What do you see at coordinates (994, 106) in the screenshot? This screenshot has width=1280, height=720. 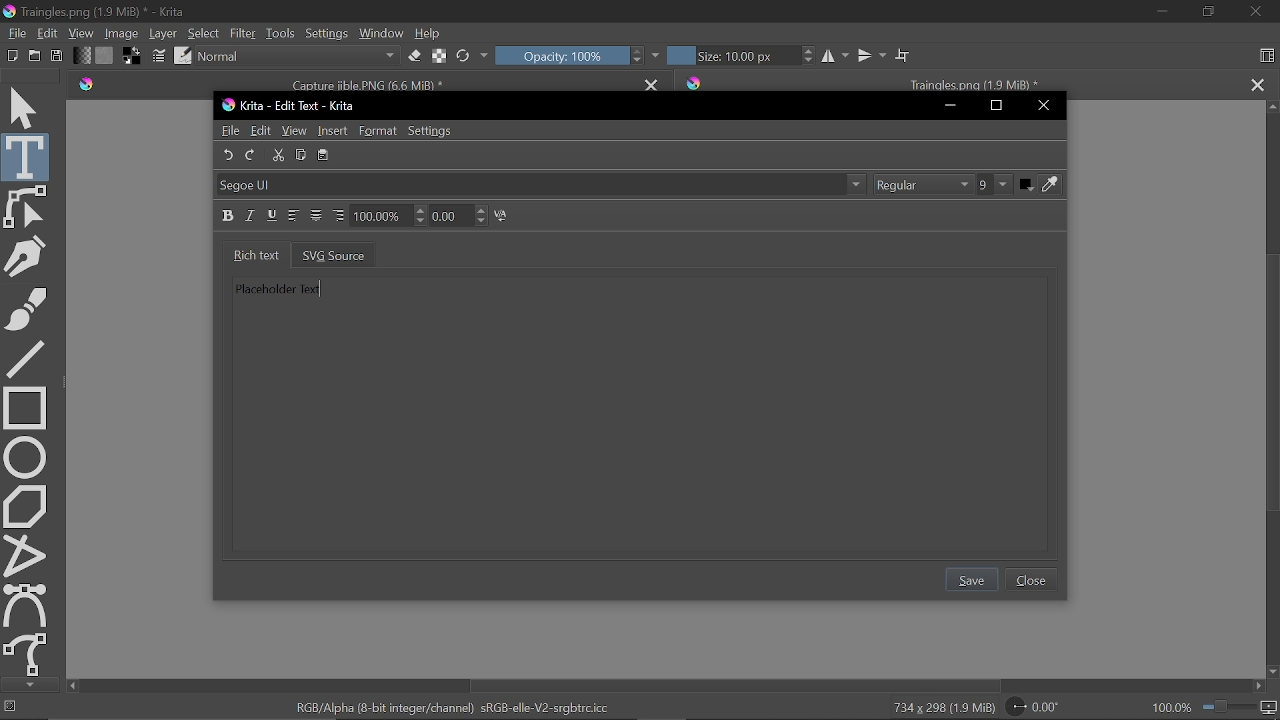 I see `Maximize` at bounding box center [994, 106].